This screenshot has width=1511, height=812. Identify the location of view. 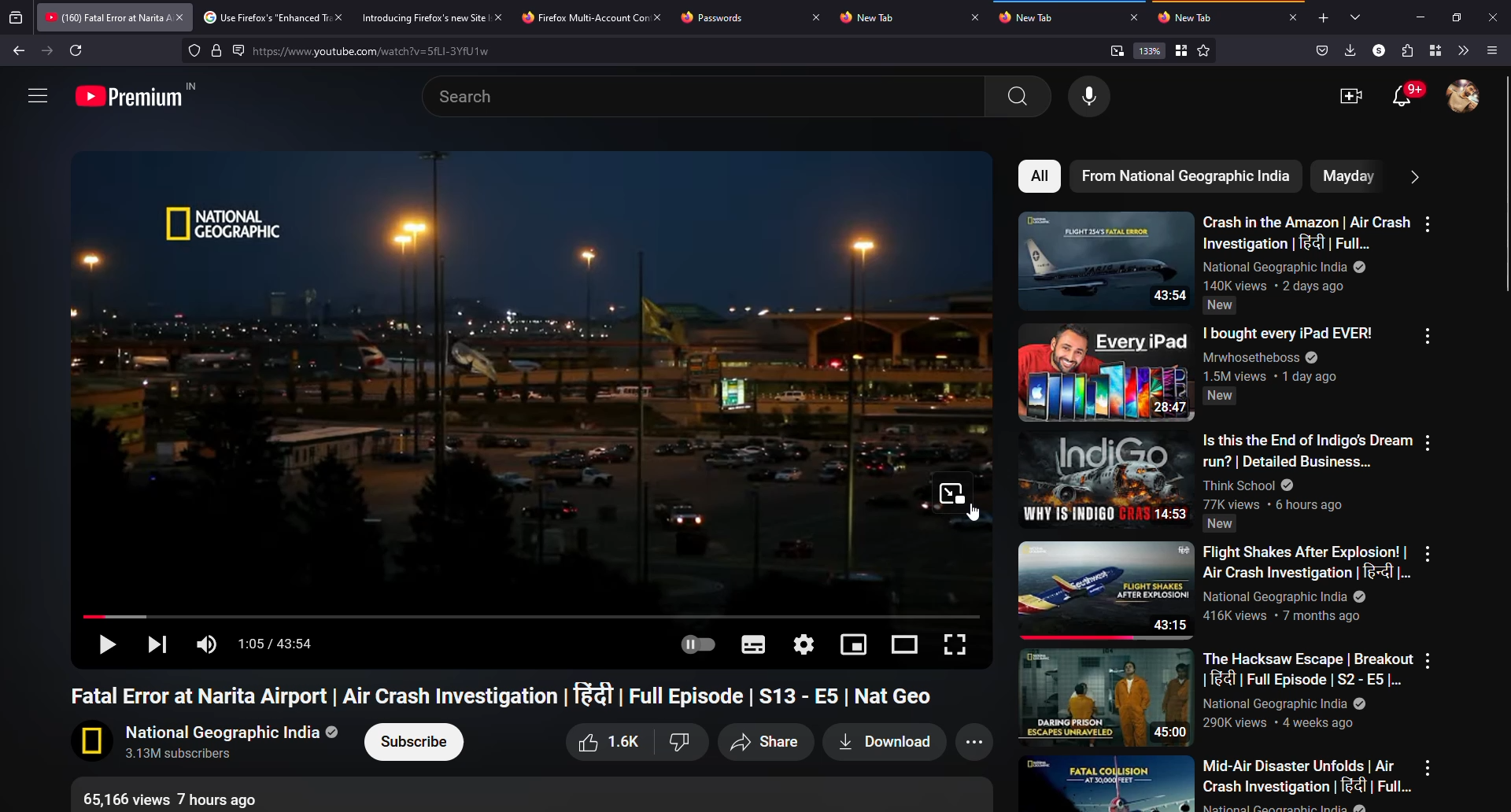
(907, 643).